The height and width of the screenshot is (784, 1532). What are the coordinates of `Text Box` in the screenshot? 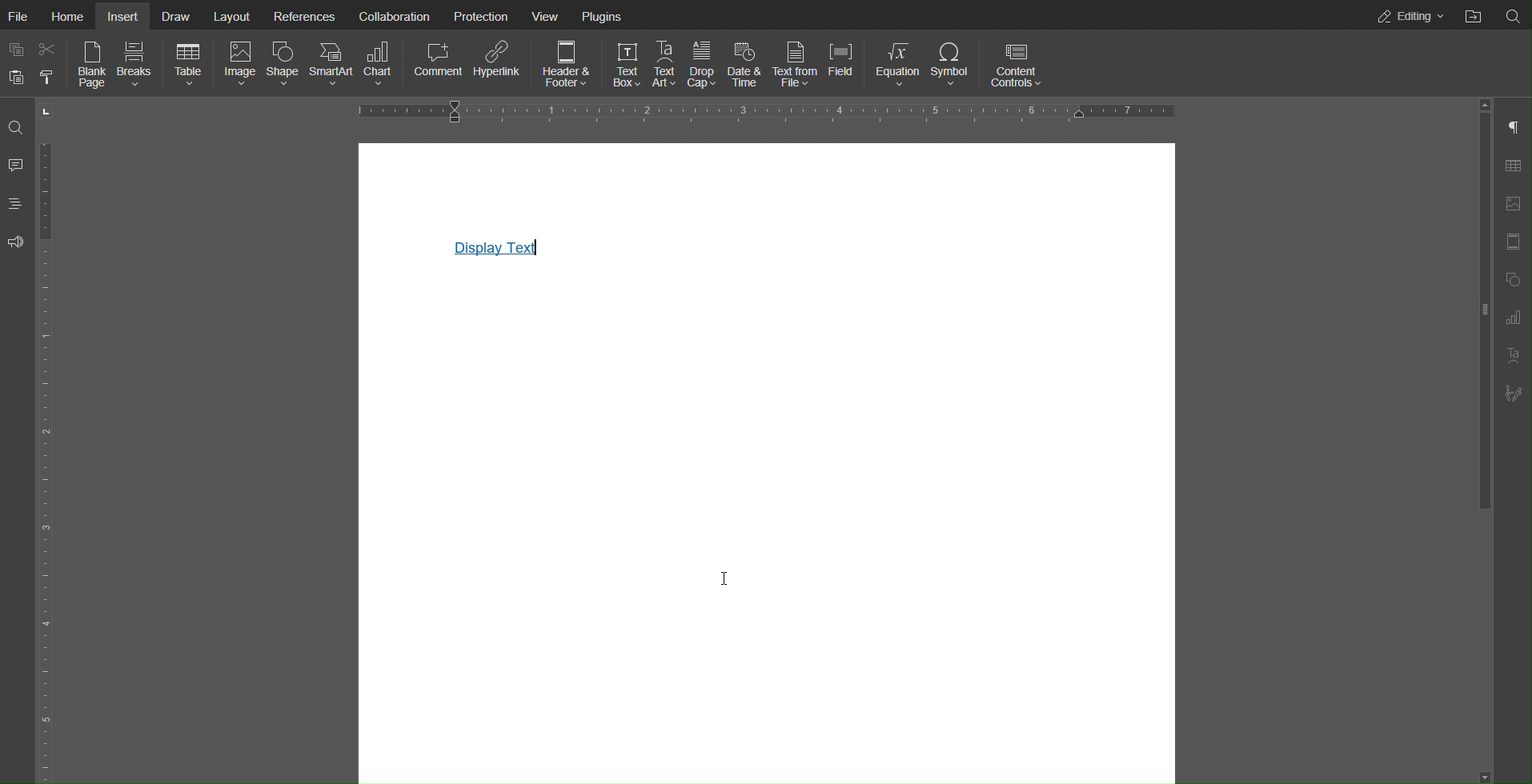 It's located at (628, 65).